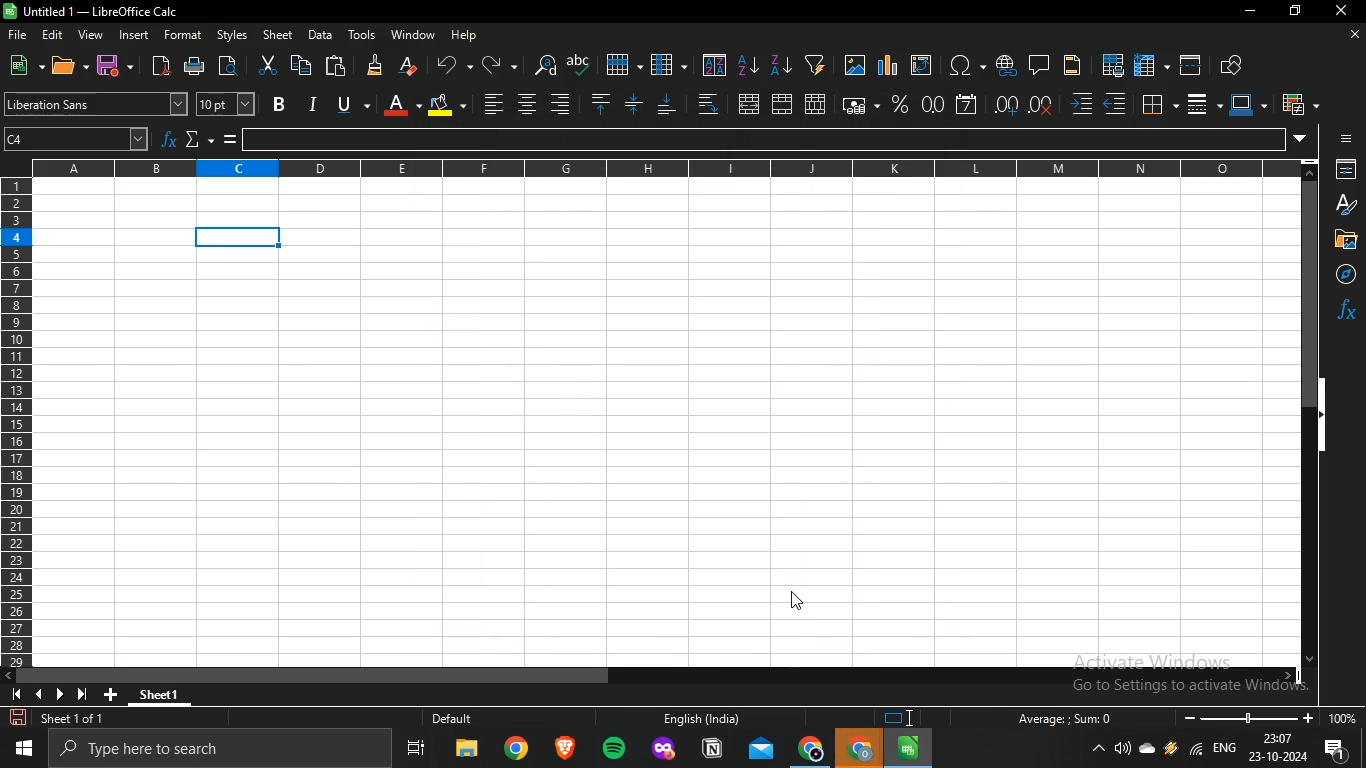  Describe the element at coordinates (20, 64) in the screenshot. I see `new ` at that location.